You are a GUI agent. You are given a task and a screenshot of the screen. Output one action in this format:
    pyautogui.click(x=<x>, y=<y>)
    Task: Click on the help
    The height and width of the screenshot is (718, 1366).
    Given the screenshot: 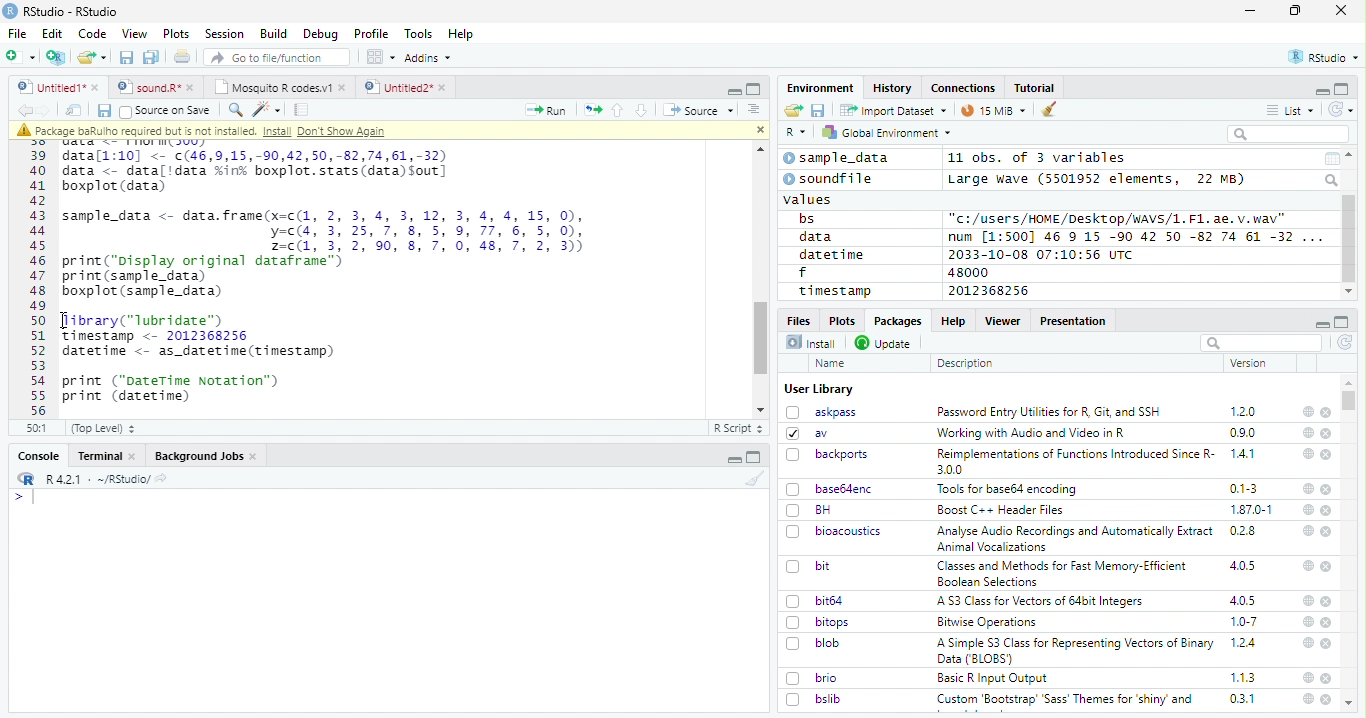 What is the action you would take?
    pyautogui.click(x=1307, y=600)
    